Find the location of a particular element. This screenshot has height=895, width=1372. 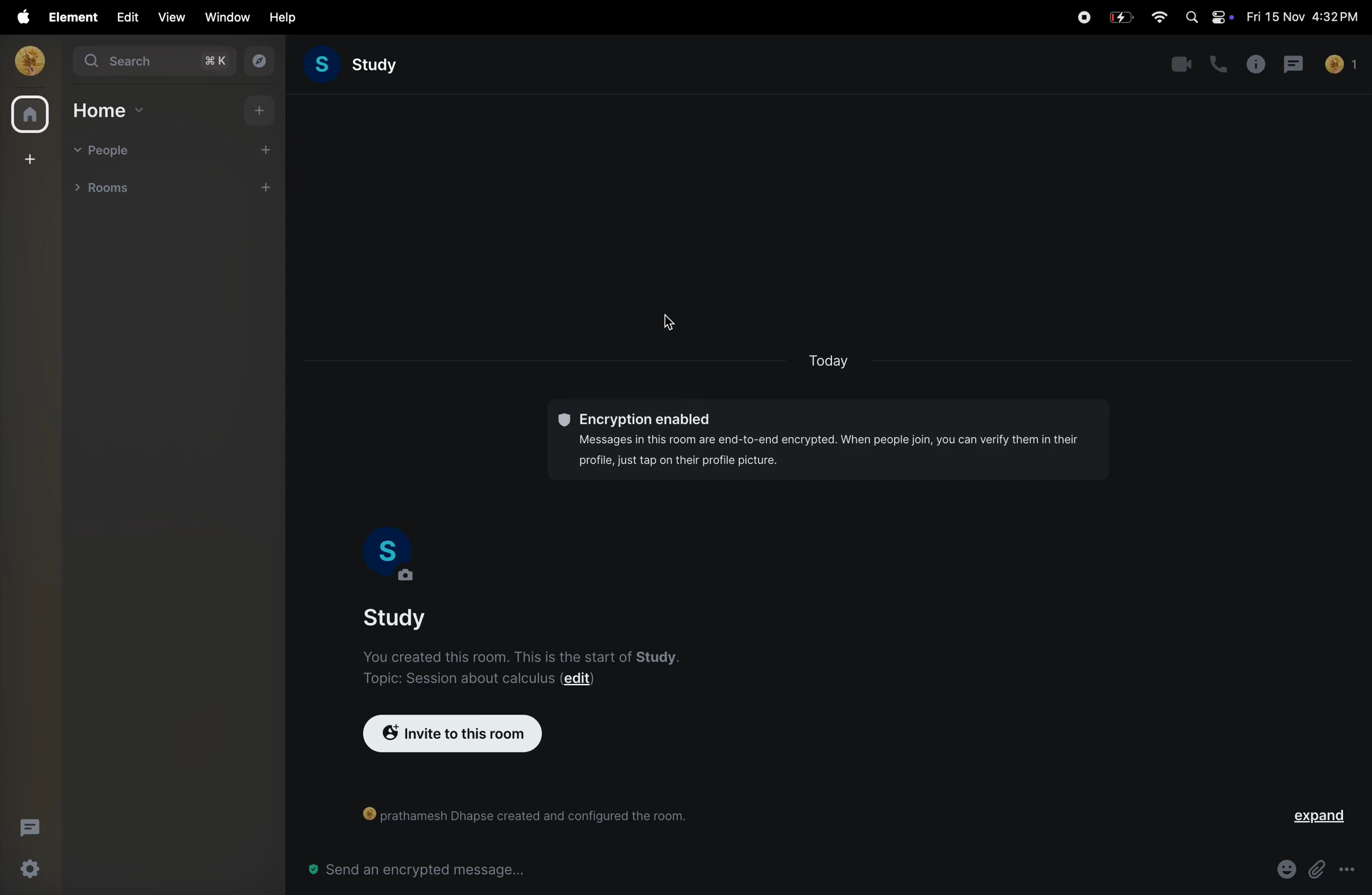

cursor is located at coordinates (668, 322).